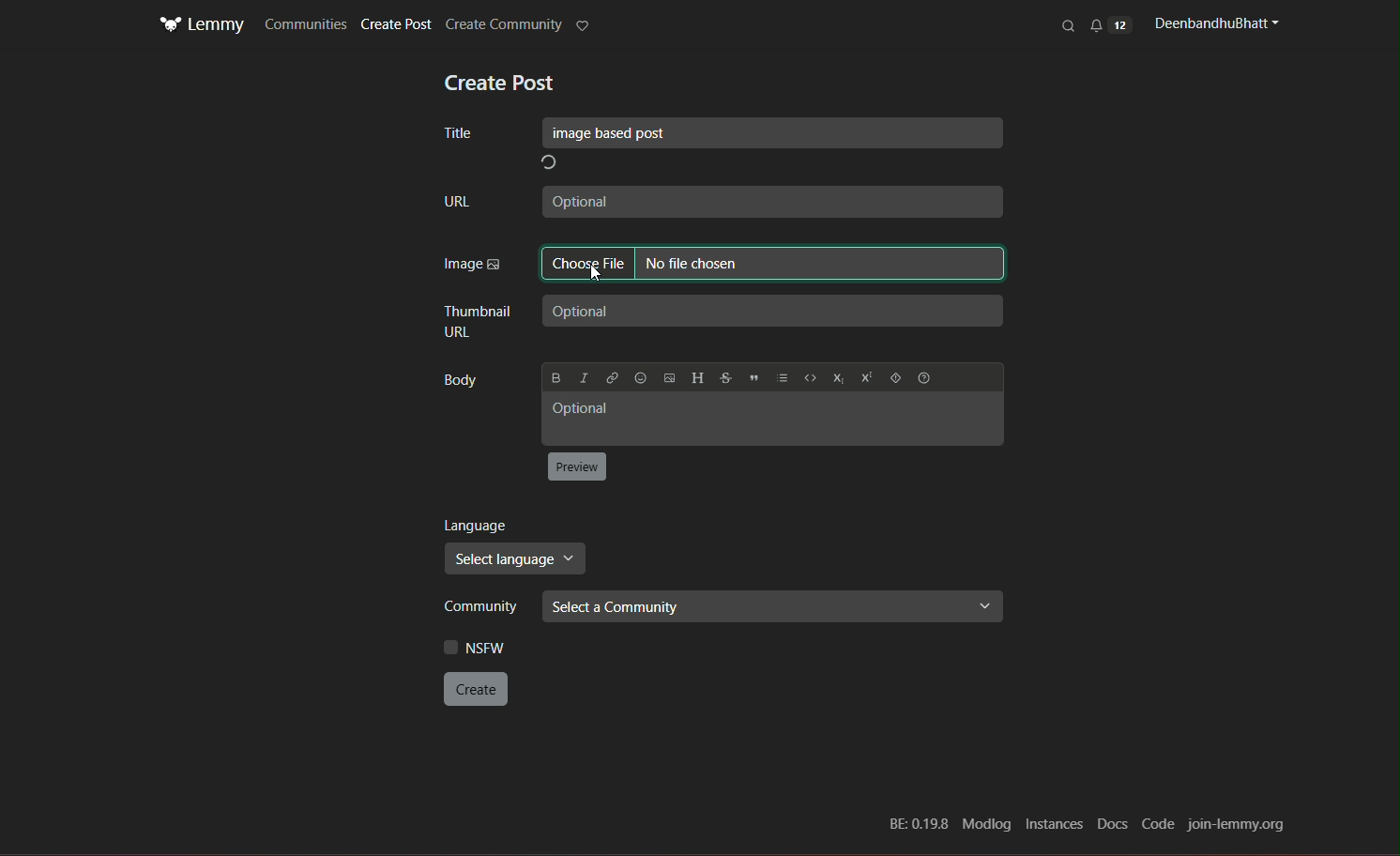  I want to click on text, so click(500, 84).